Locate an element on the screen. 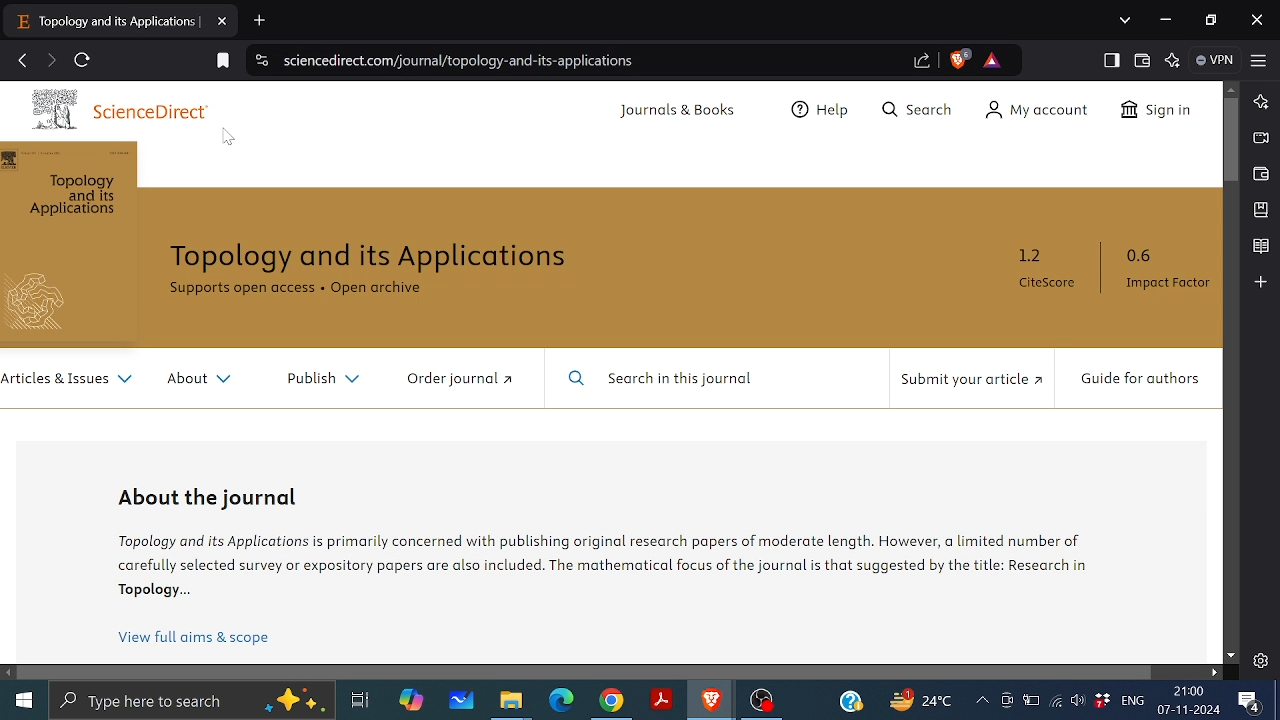 The width and height of the screenshot is (1280, 720). Weather is located at coordinates (917, 699).